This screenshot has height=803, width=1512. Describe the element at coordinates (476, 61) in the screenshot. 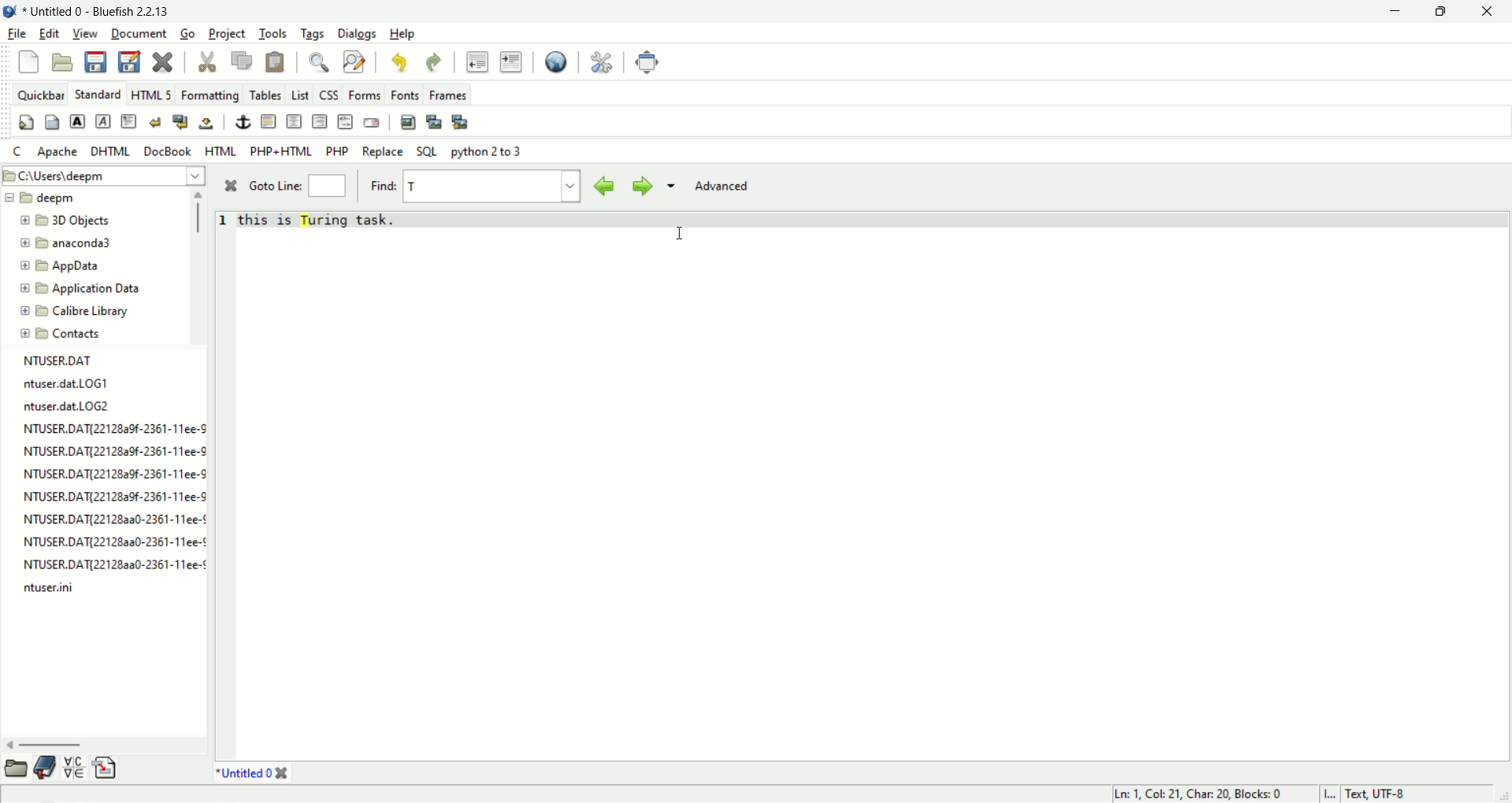

I see `unident` at that location.